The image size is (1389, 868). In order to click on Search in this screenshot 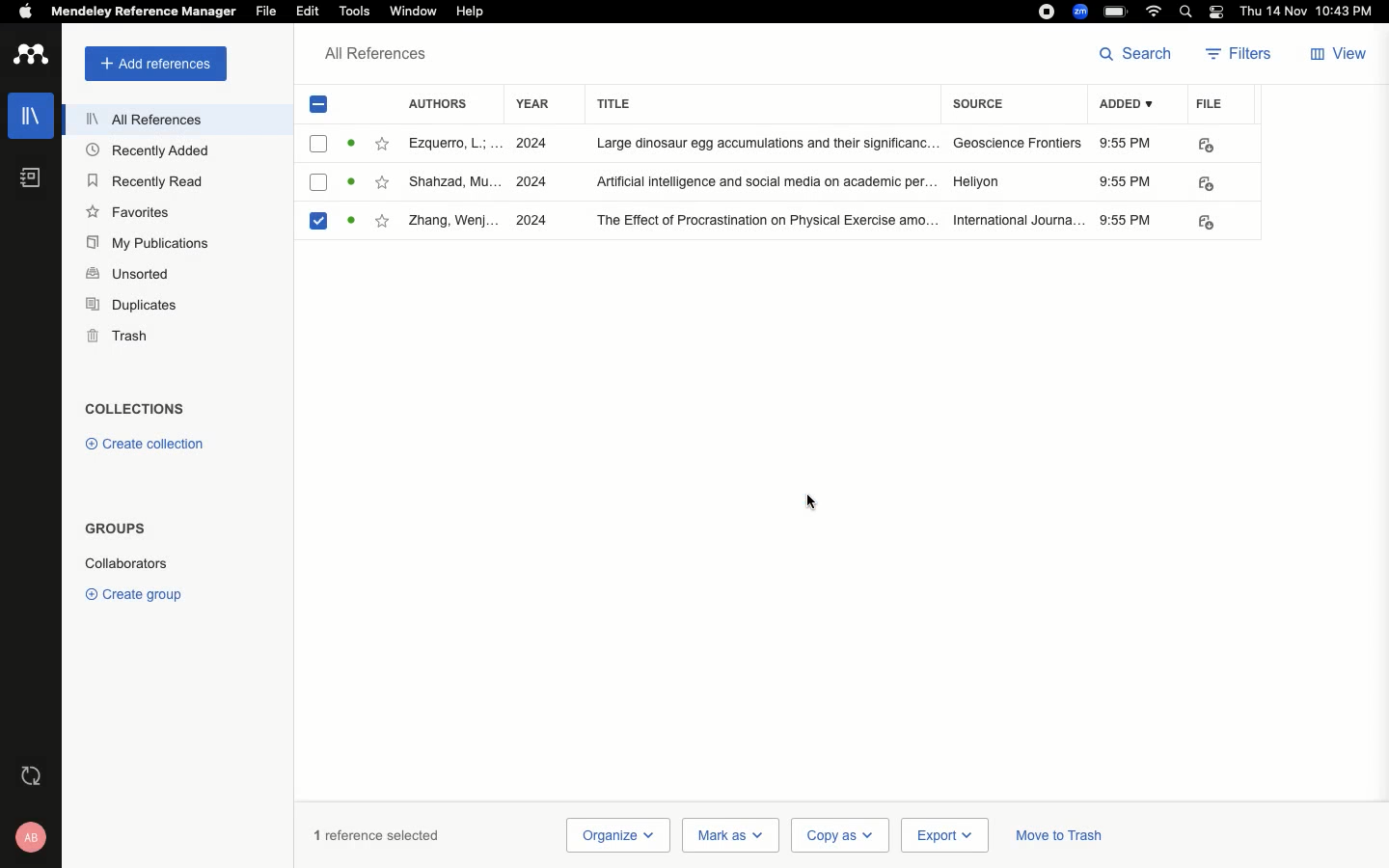, I will do `click(1188, 12)`.